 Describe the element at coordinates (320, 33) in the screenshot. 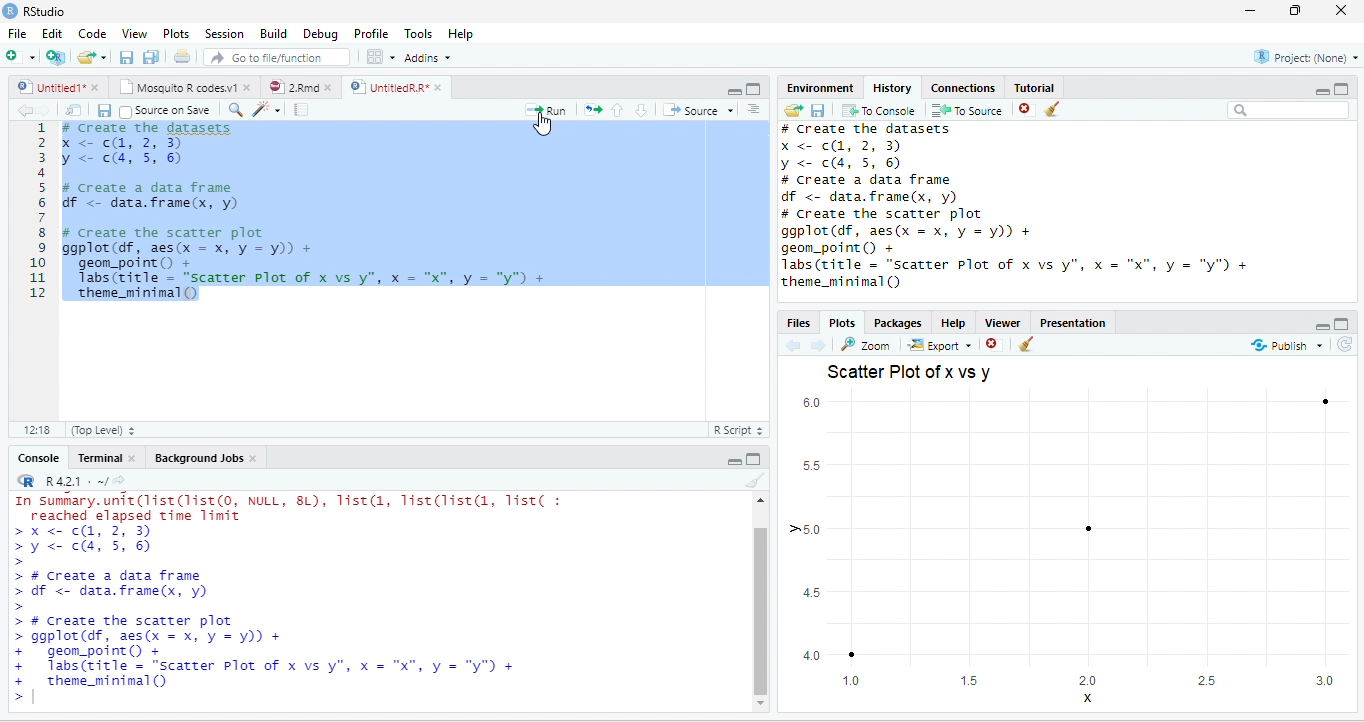

I see `Debug` at that location.